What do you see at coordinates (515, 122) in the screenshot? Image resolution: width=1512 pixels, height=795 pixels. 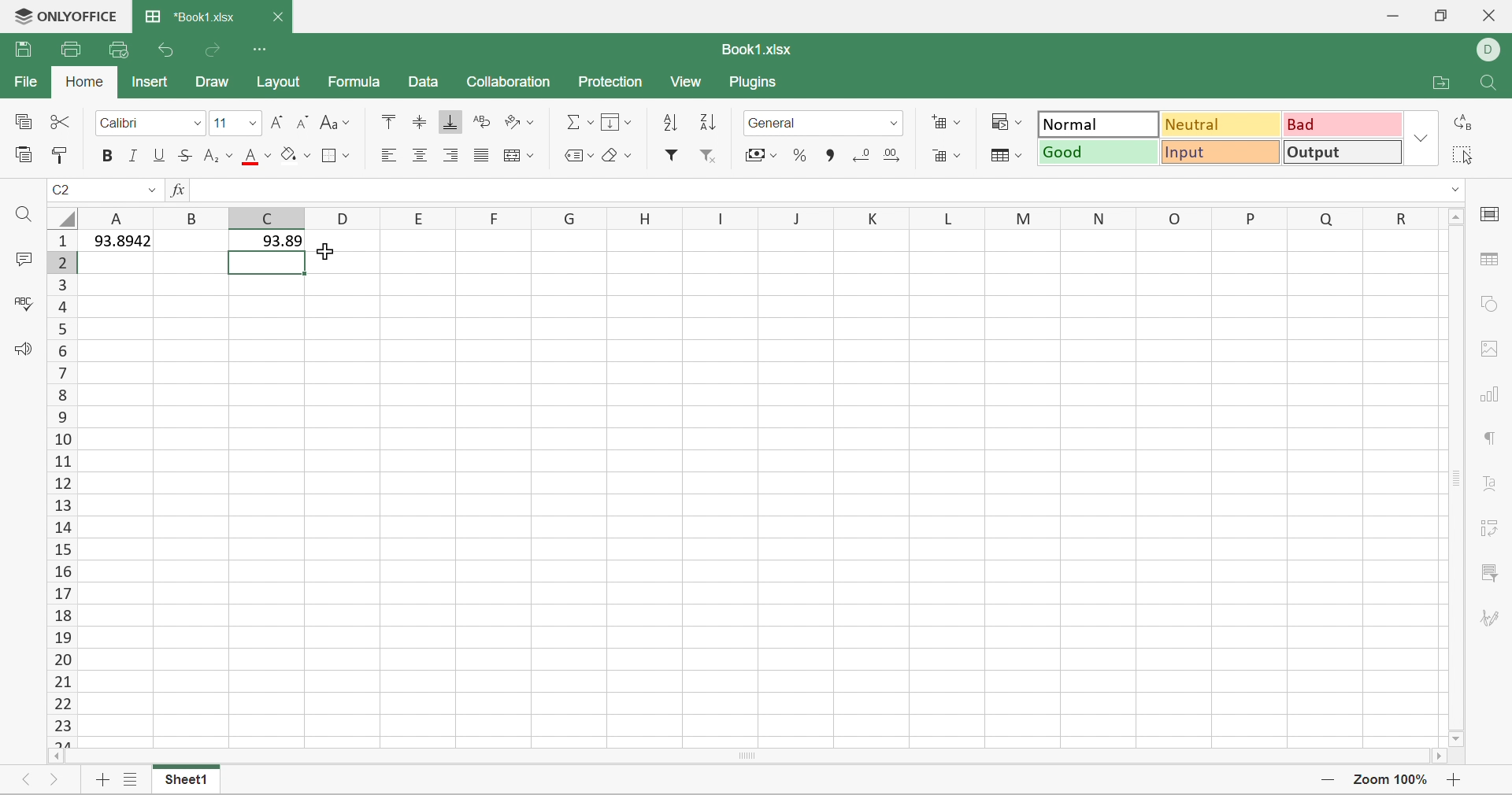 I see `Orientation` at bounding box center [515, 122].